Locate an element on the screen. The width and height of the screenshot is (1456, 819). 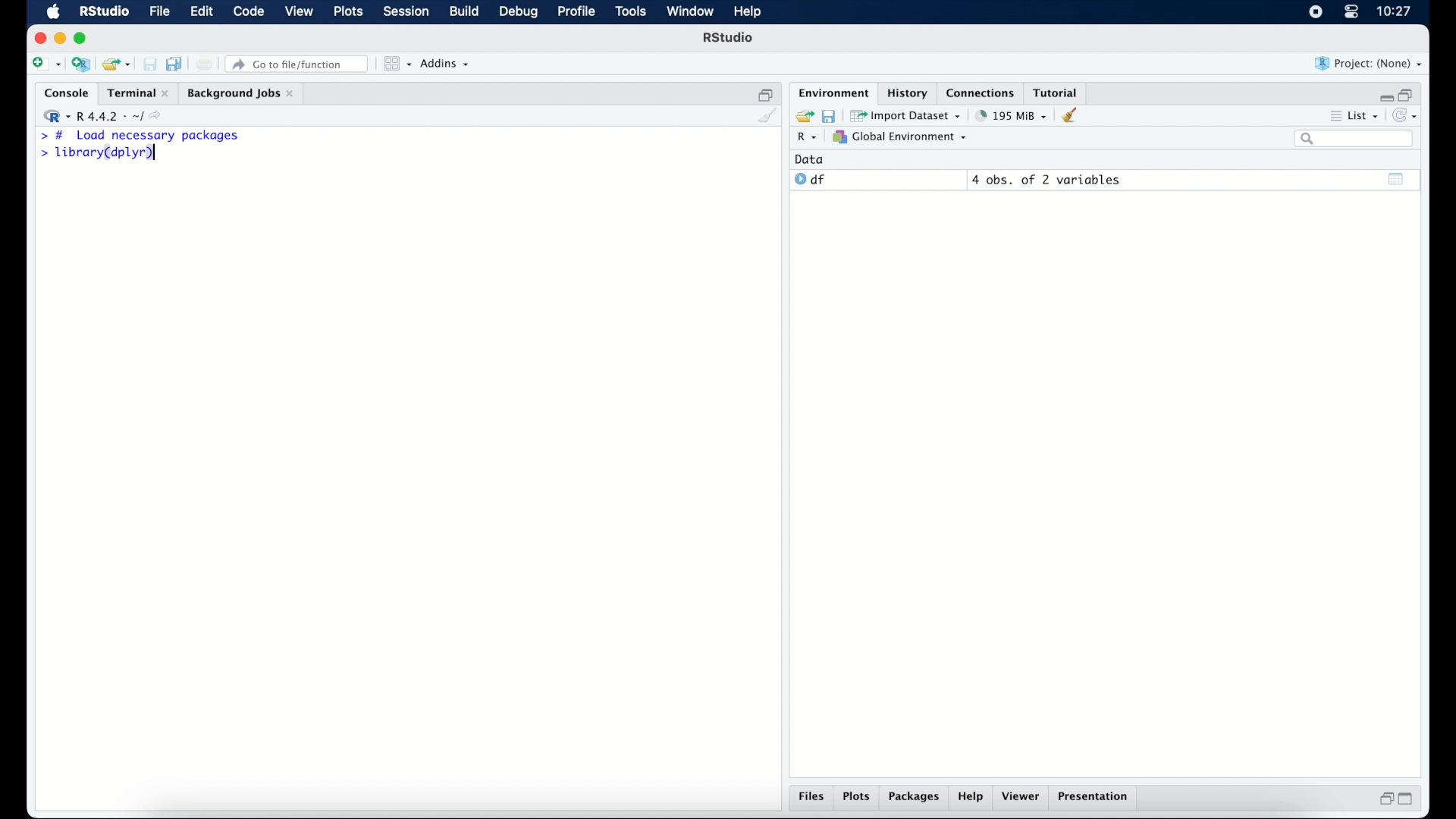
addins is located at coordinates (445, 64).